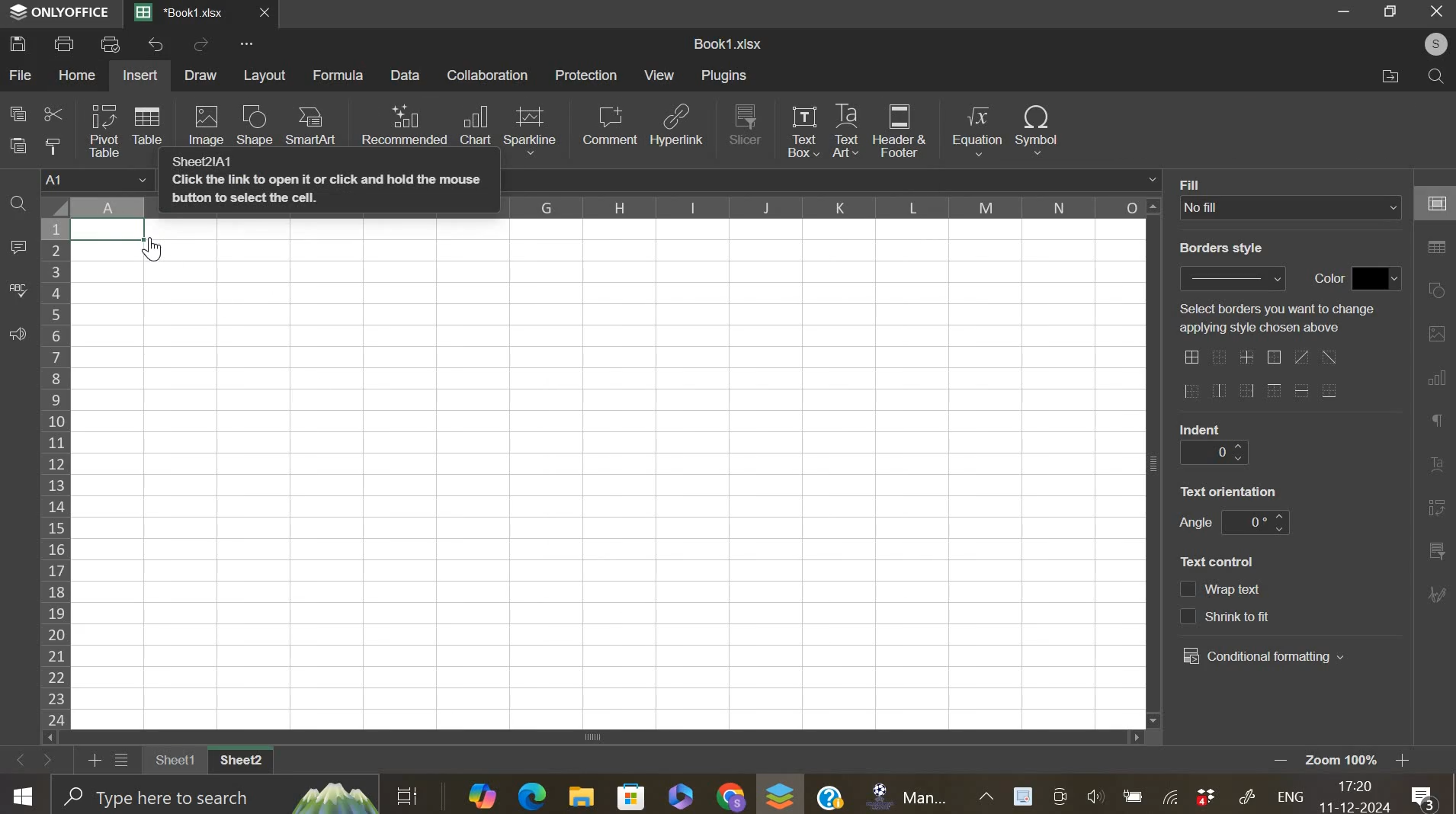 This screenshot has width=1456, height=814. I want to click on text, so click(1276, 318).